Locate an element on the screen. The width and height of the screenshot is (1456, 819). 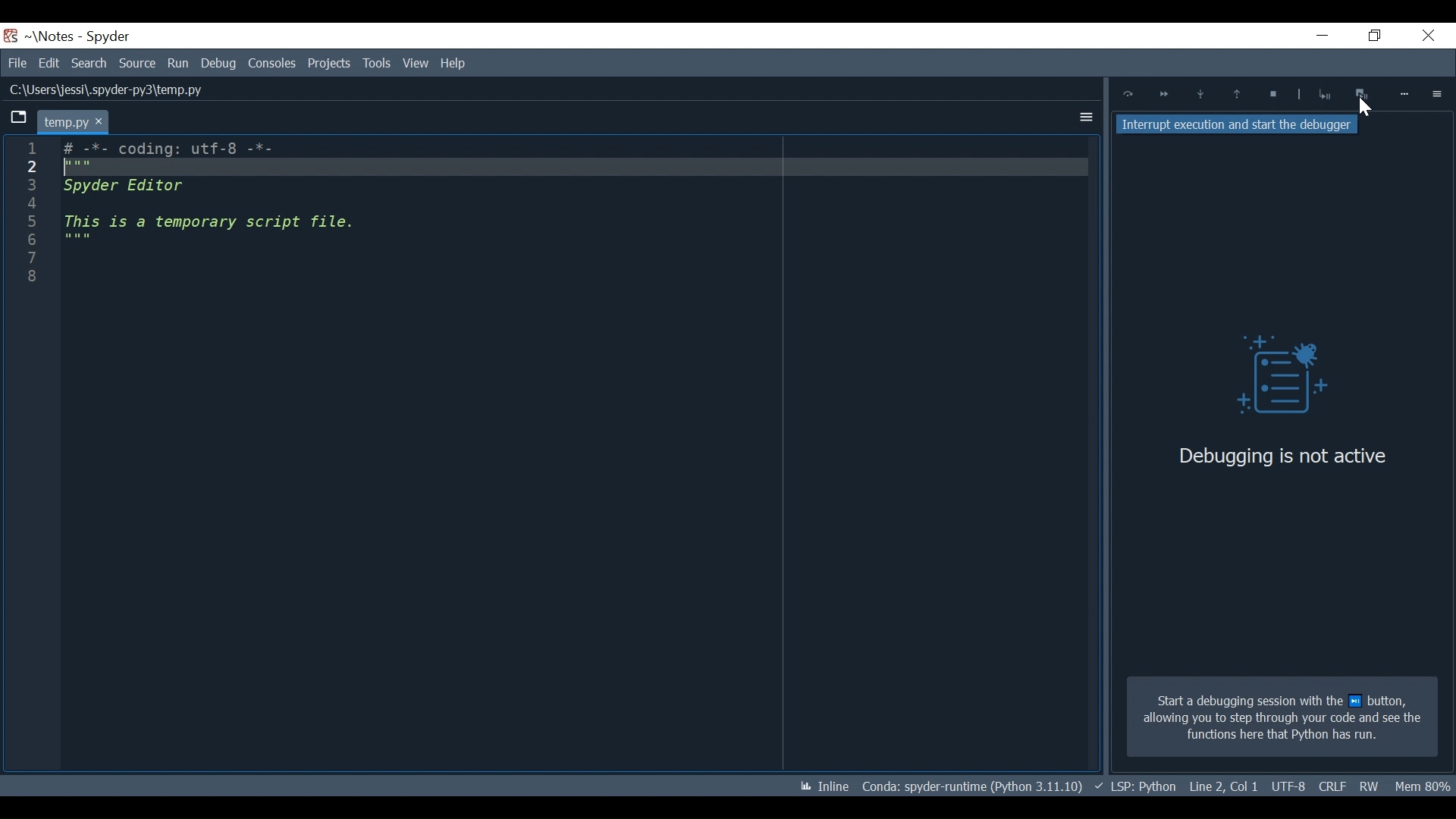
Search is located at coordinates (91, 63).